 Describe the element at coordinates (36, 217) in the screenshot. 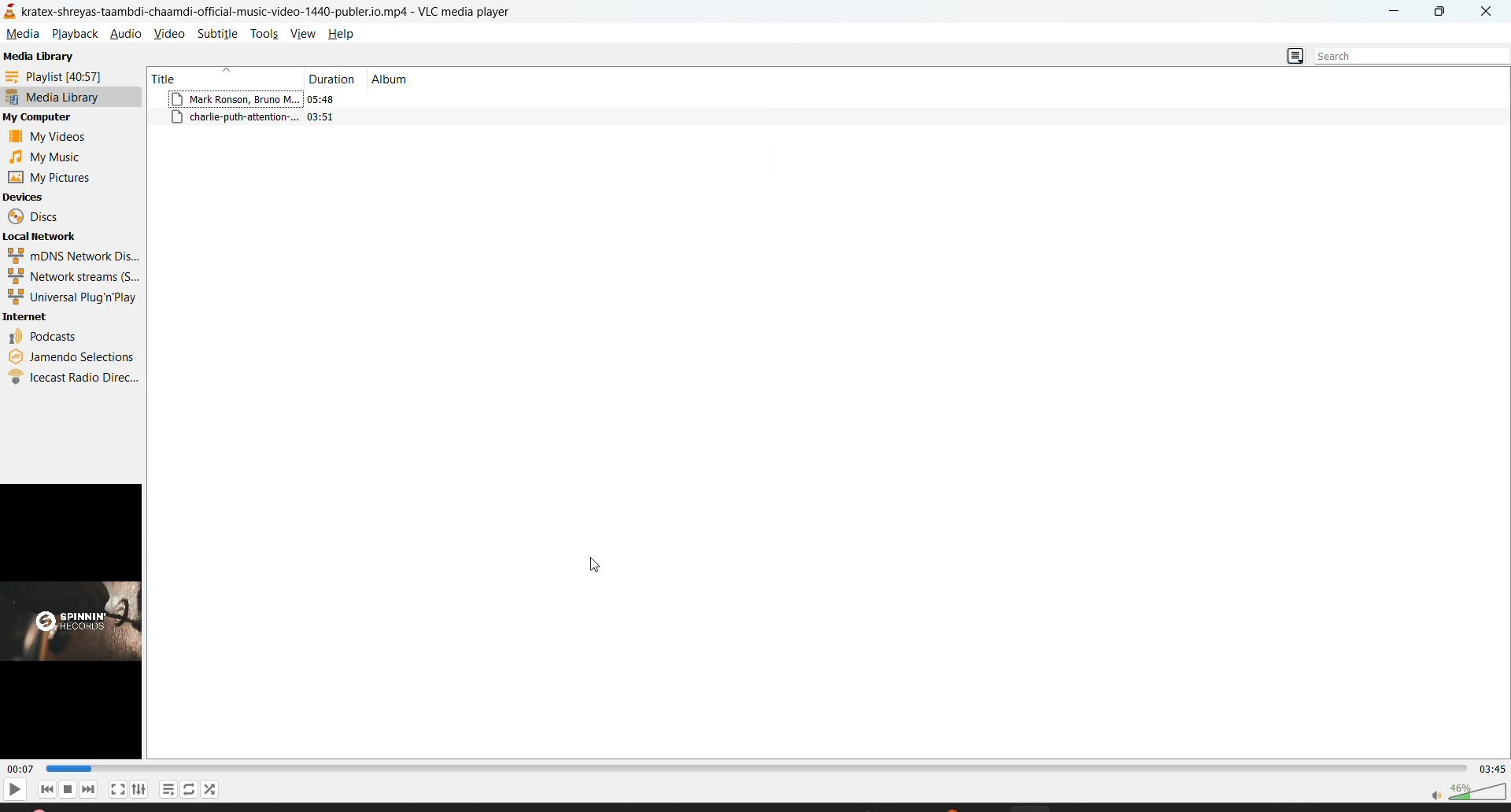

I see `discs` at that location.